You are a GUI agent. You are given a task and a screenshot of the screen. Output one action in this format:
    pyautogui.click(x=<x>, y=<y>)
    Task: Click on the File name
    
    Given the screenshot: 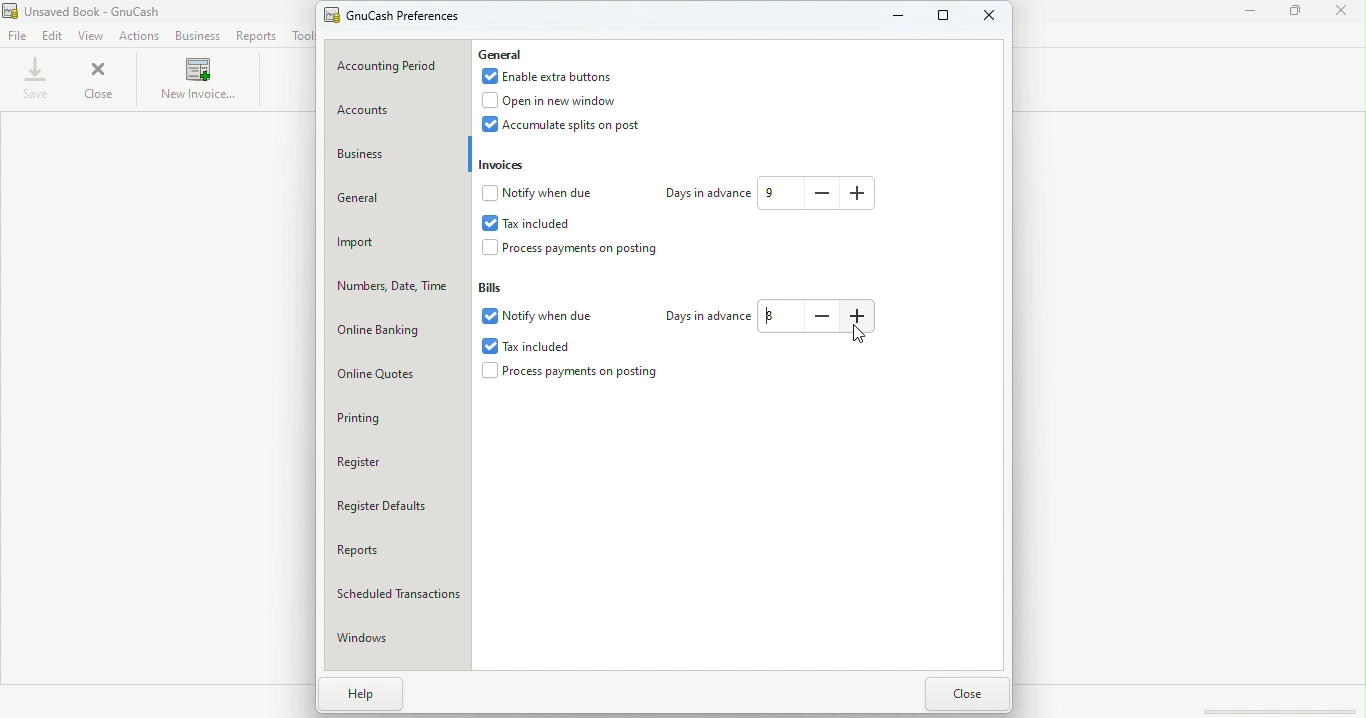 What is the action you would take?
    pyautogui.click(x=105, y=11)
    